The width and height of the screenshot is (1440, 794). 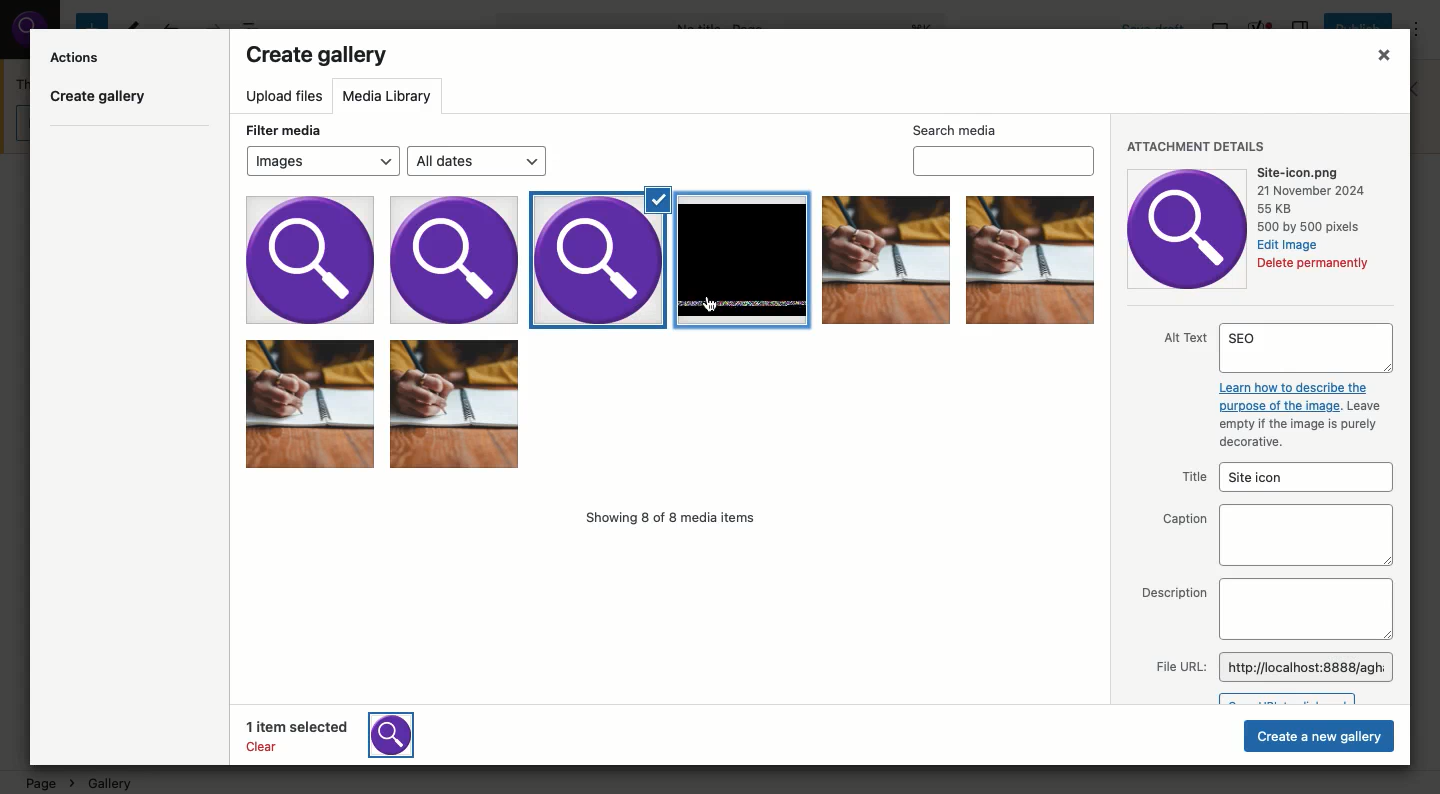 I want to click on Description, so click(x=1264, y=609).